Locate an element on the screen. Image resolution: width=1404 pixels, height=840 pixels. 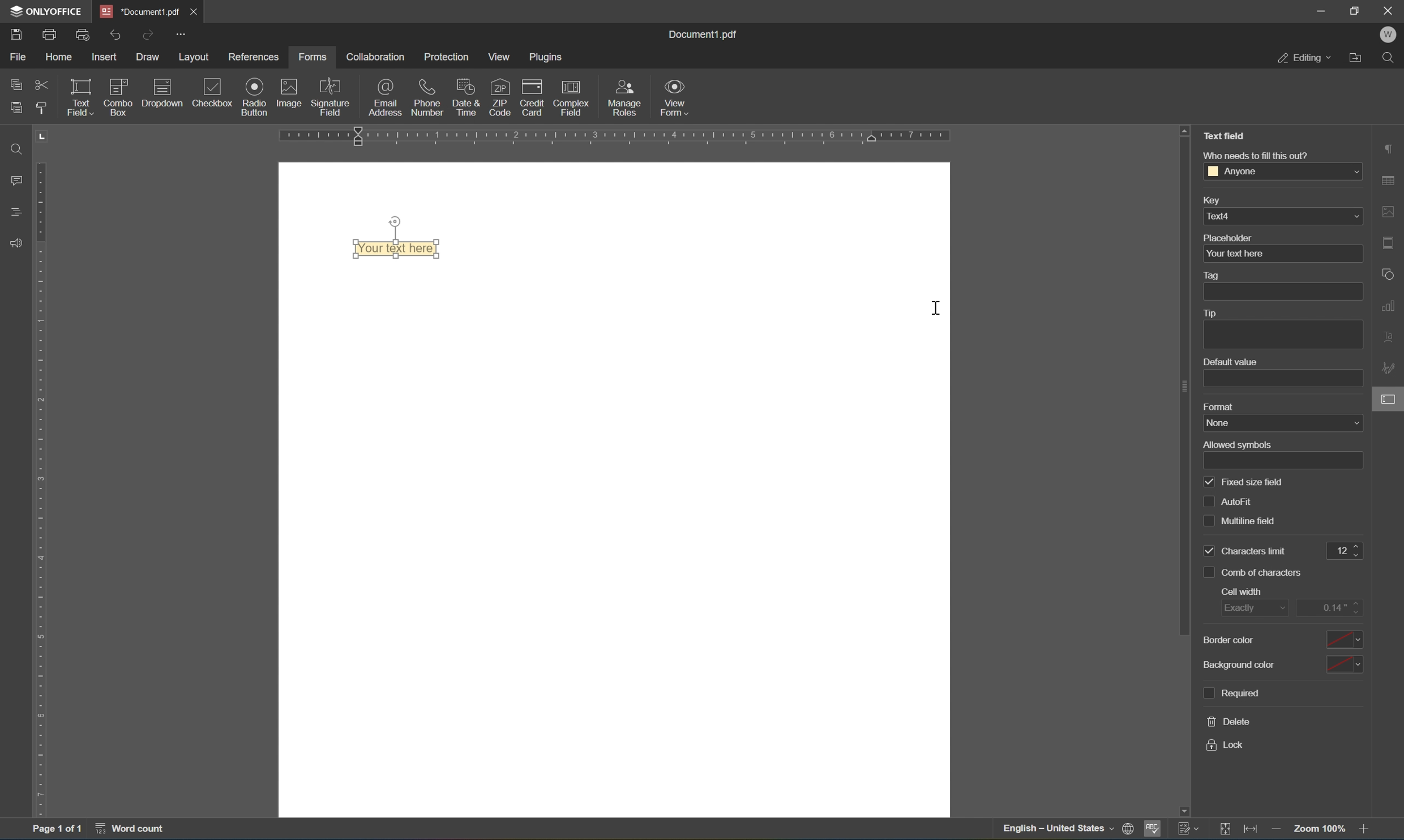
find is located at coordinates (14, 149).